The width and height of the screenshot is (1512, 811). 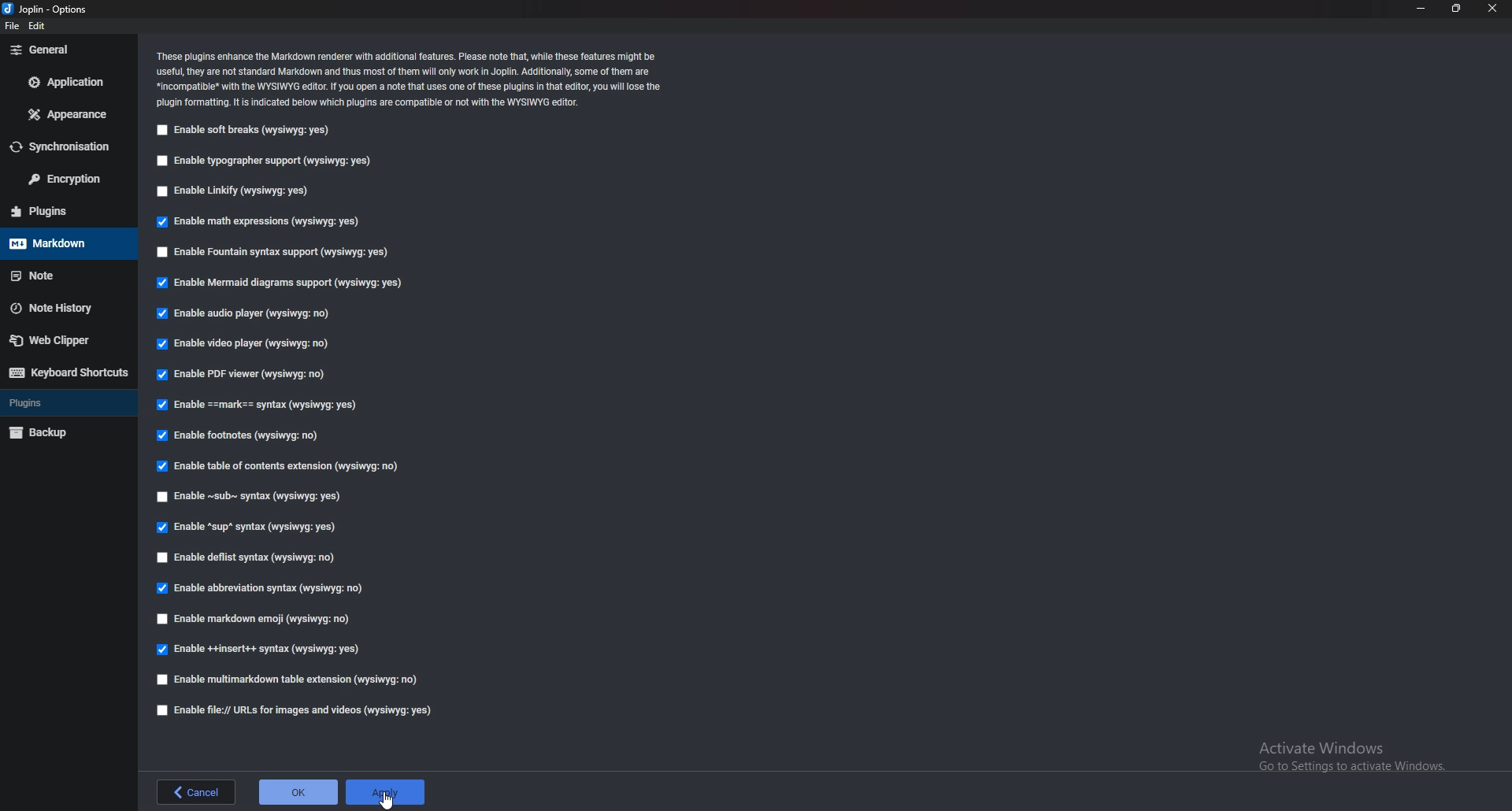 What do you see at coordinates (299, 791) in the screenshot?
I see `o K` at bounding box center [299, 791].